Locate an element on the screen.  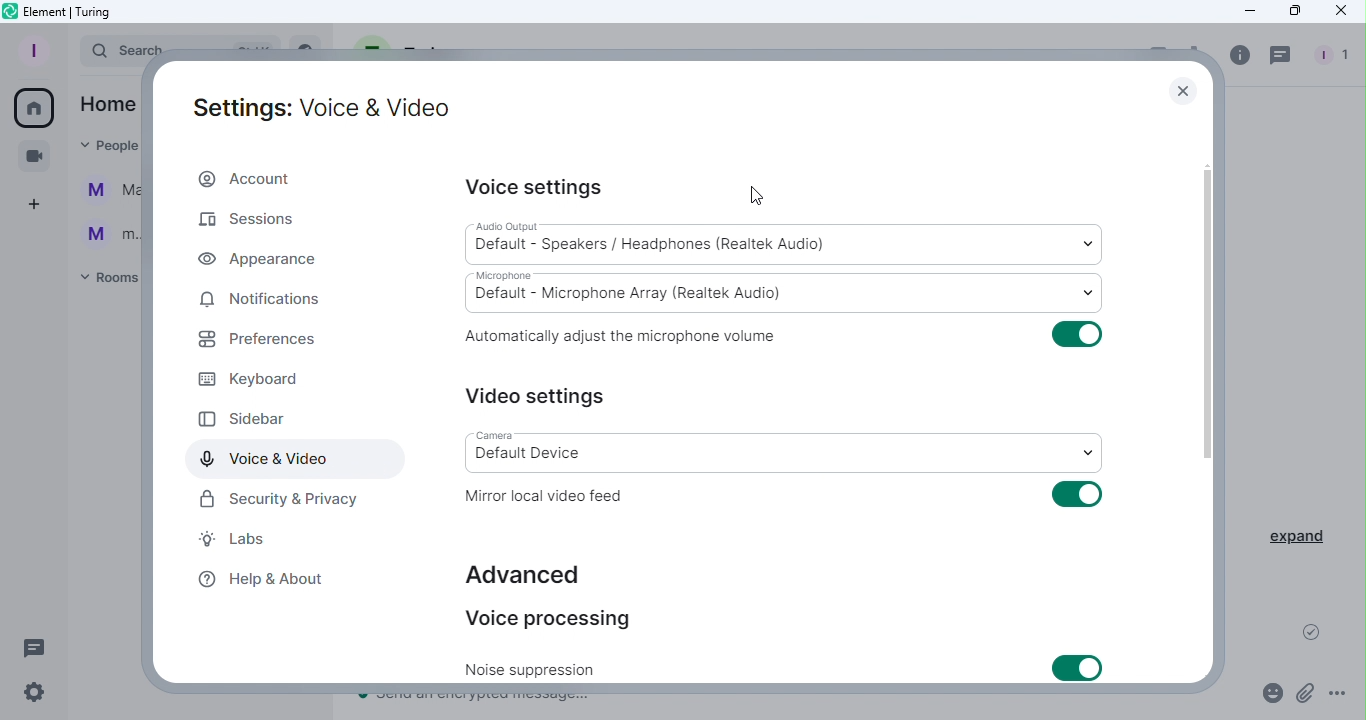
Threads is located at coordinates (37, 647).